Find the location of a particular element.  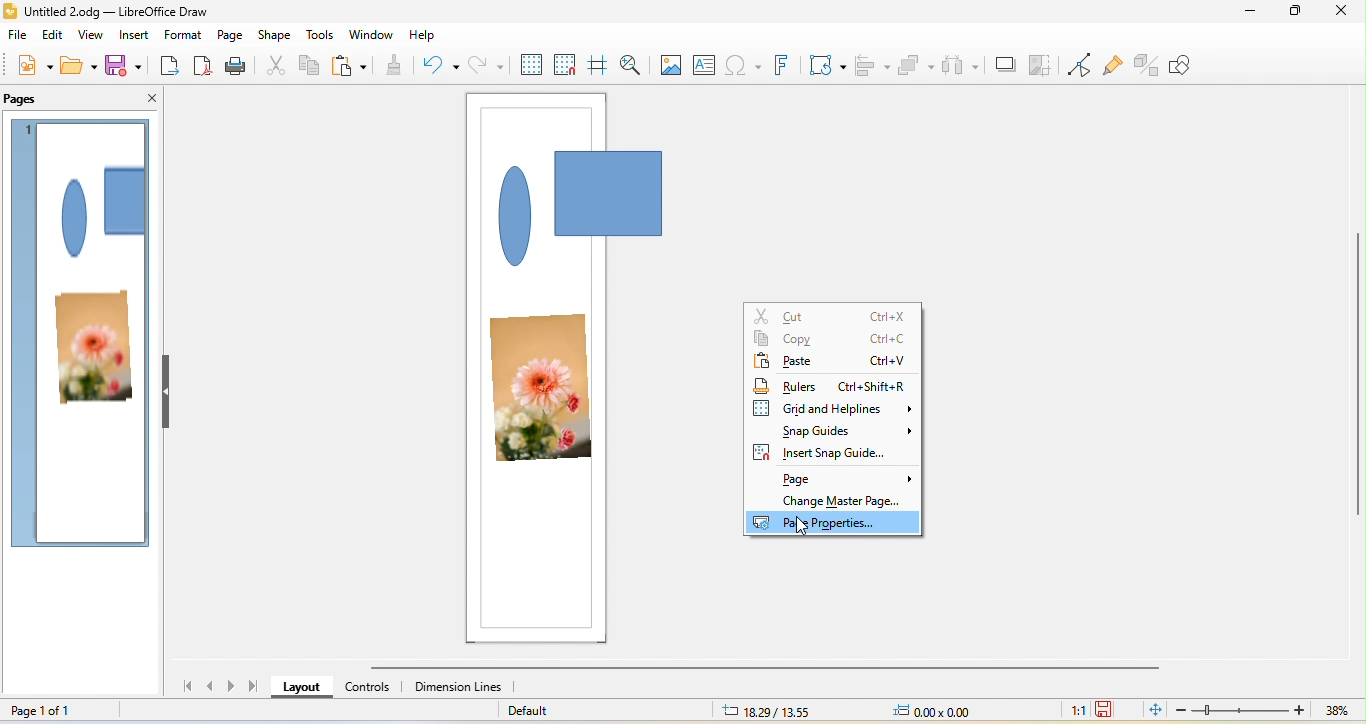

grid and helplines is located at coordinates (831, 407).